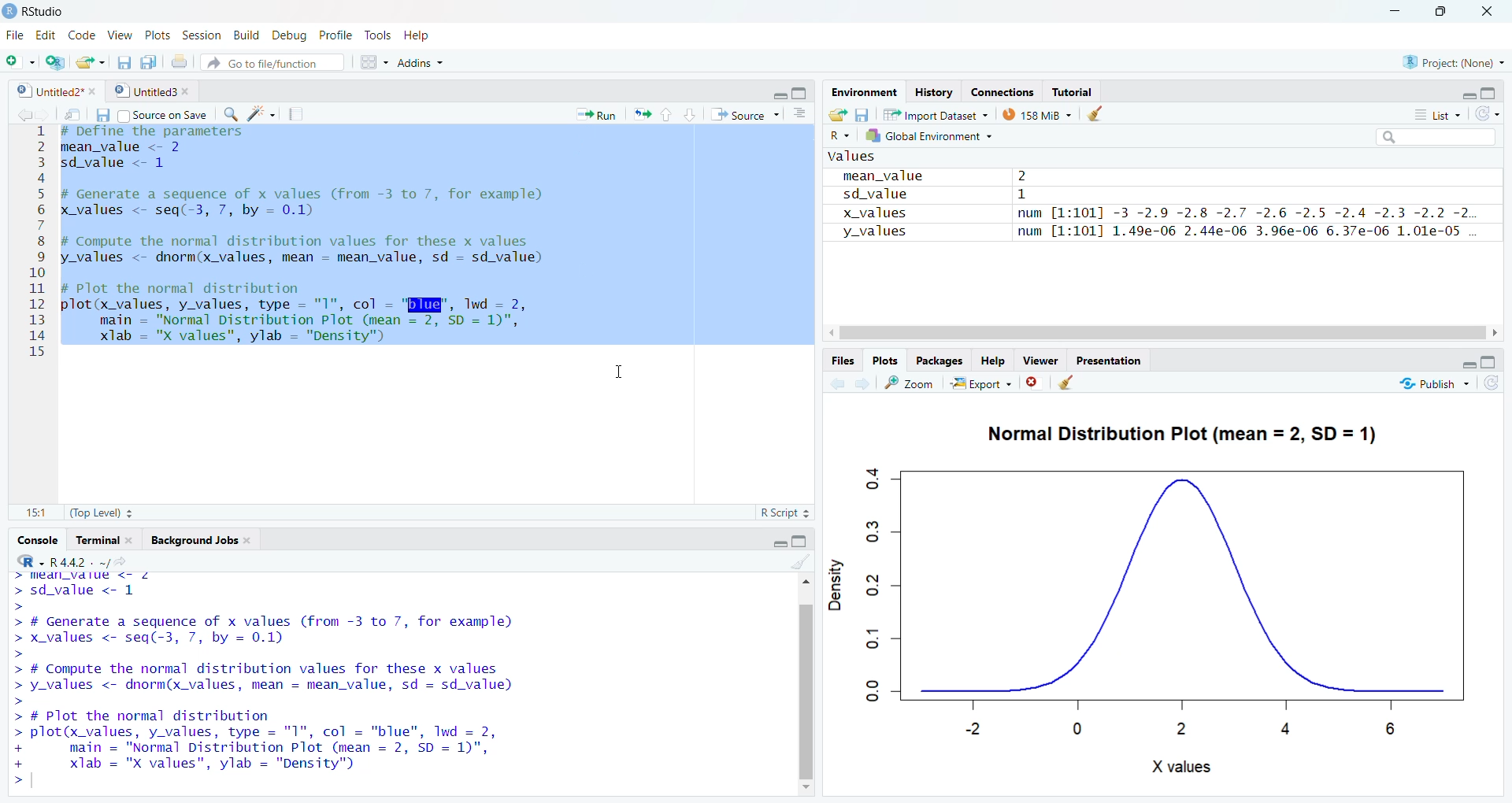 This screenshot has width=1512, height=803. What do you see at coordinates (51, 89) in the screenshot?
I see ` Untitled2` at bounding box center [51, 89].